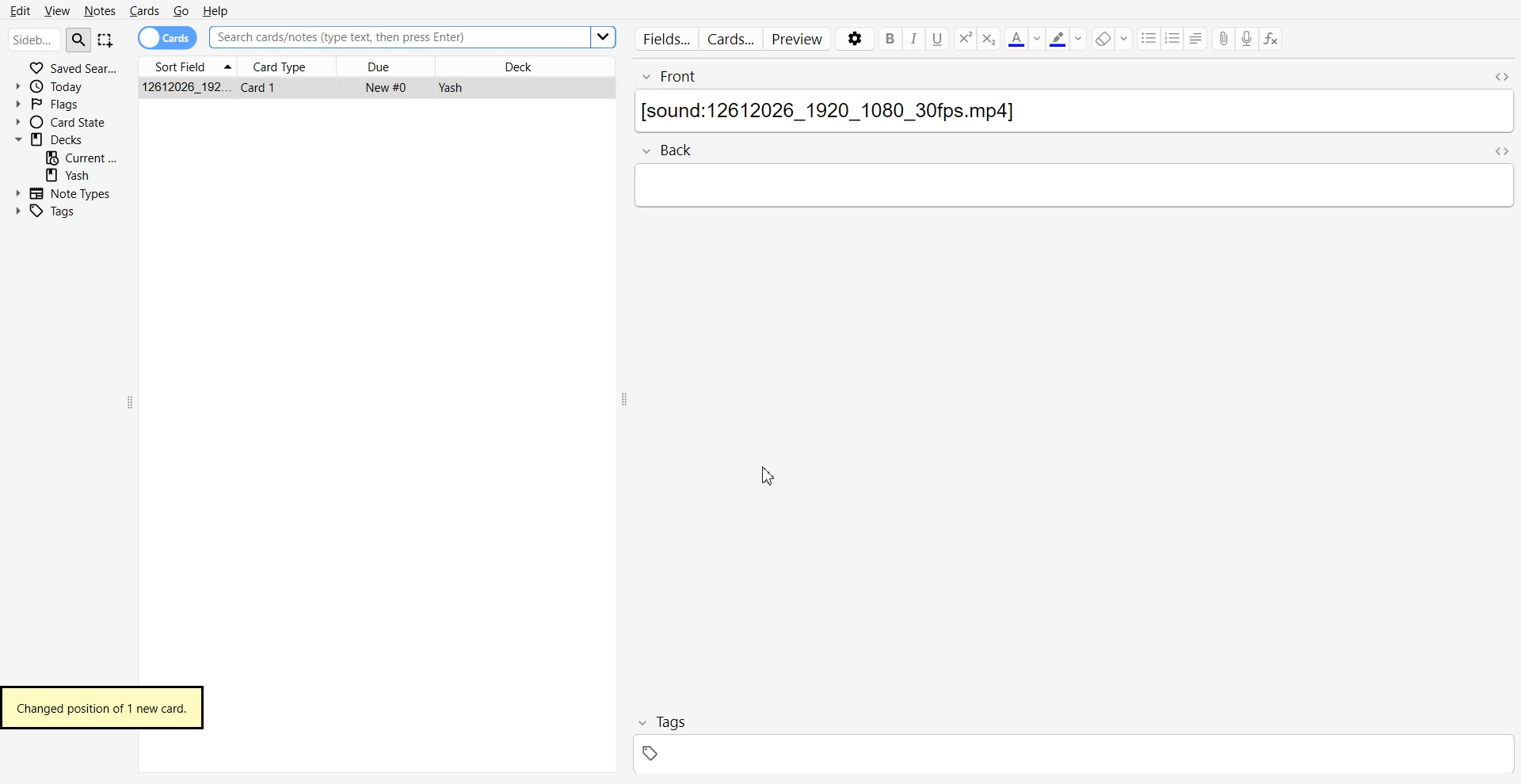 This screenshot has height=784, width=1521. What do you see at coordinates (1149, 38) in the screenshot?
I see `unordered list` at bounding box center [1149, 38].